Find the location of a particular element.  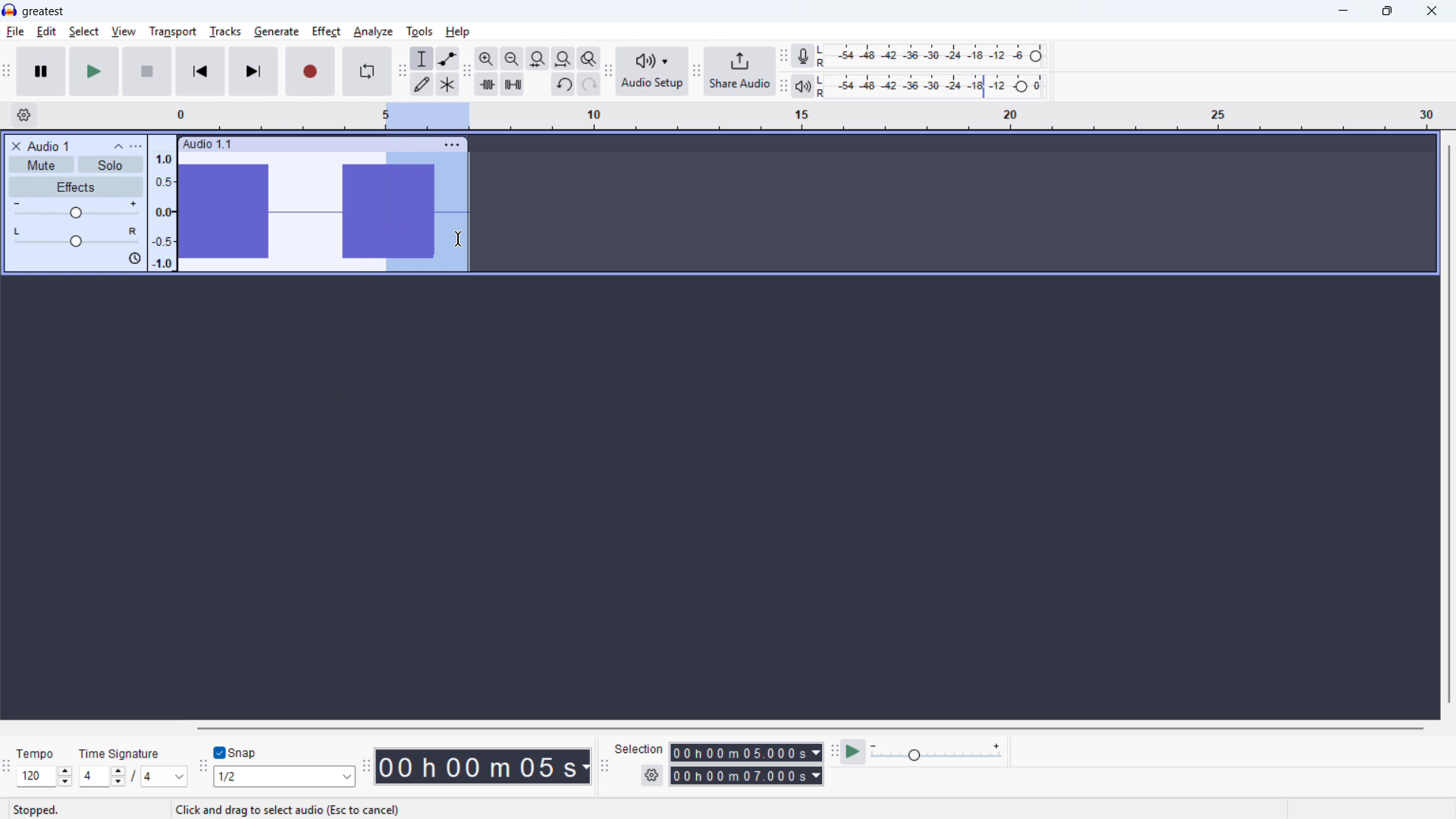

Recording level  is located at coordinates (935, 56).